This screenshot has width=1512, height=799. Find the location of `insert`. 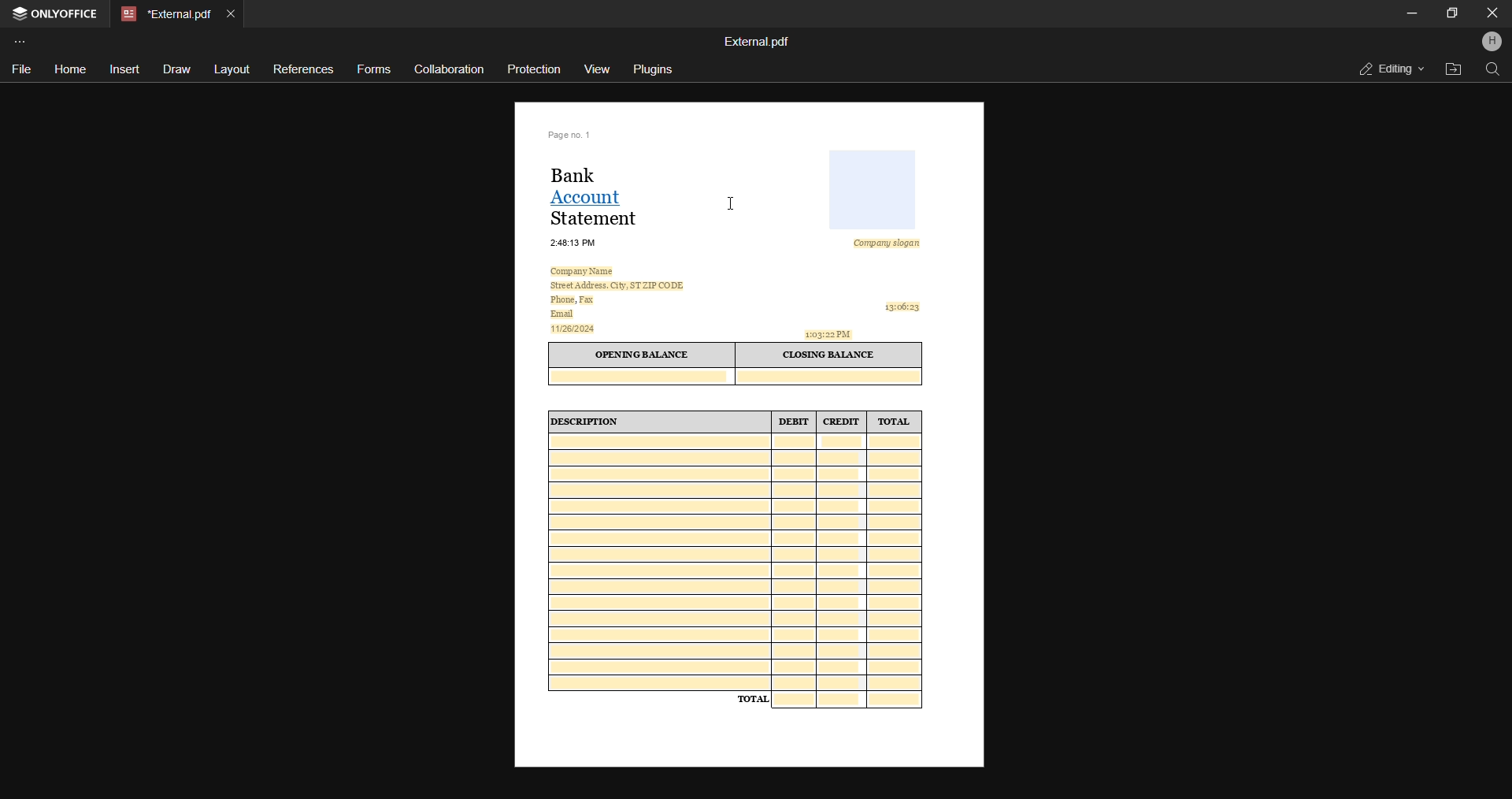

insert is located at coordinates (124, 68).